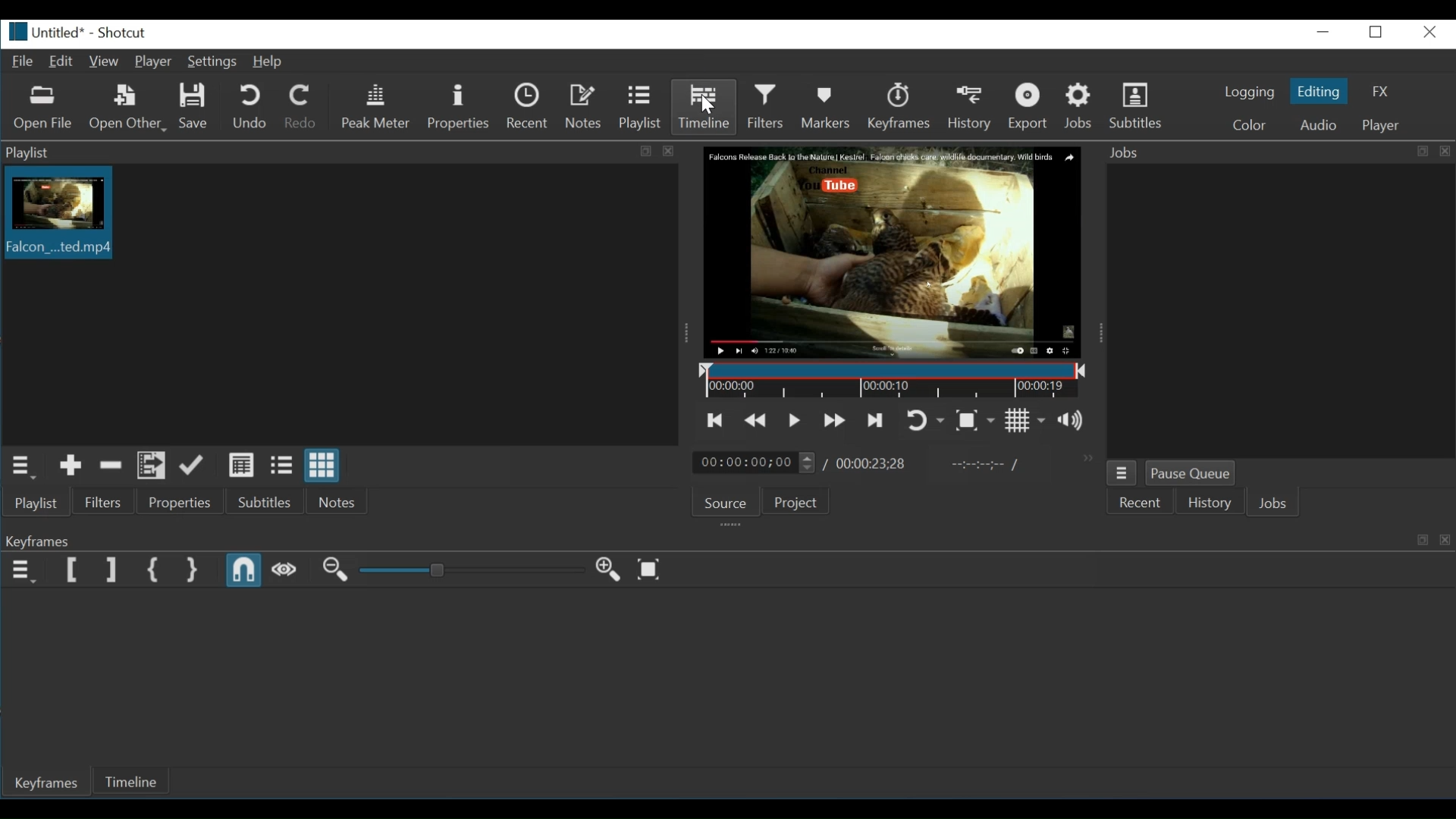 This screenshot has width=1456, height=819. What do you see at coordinates (301, 106) in the screenshot?
I see `Redo` at bounding box center [301, 106].